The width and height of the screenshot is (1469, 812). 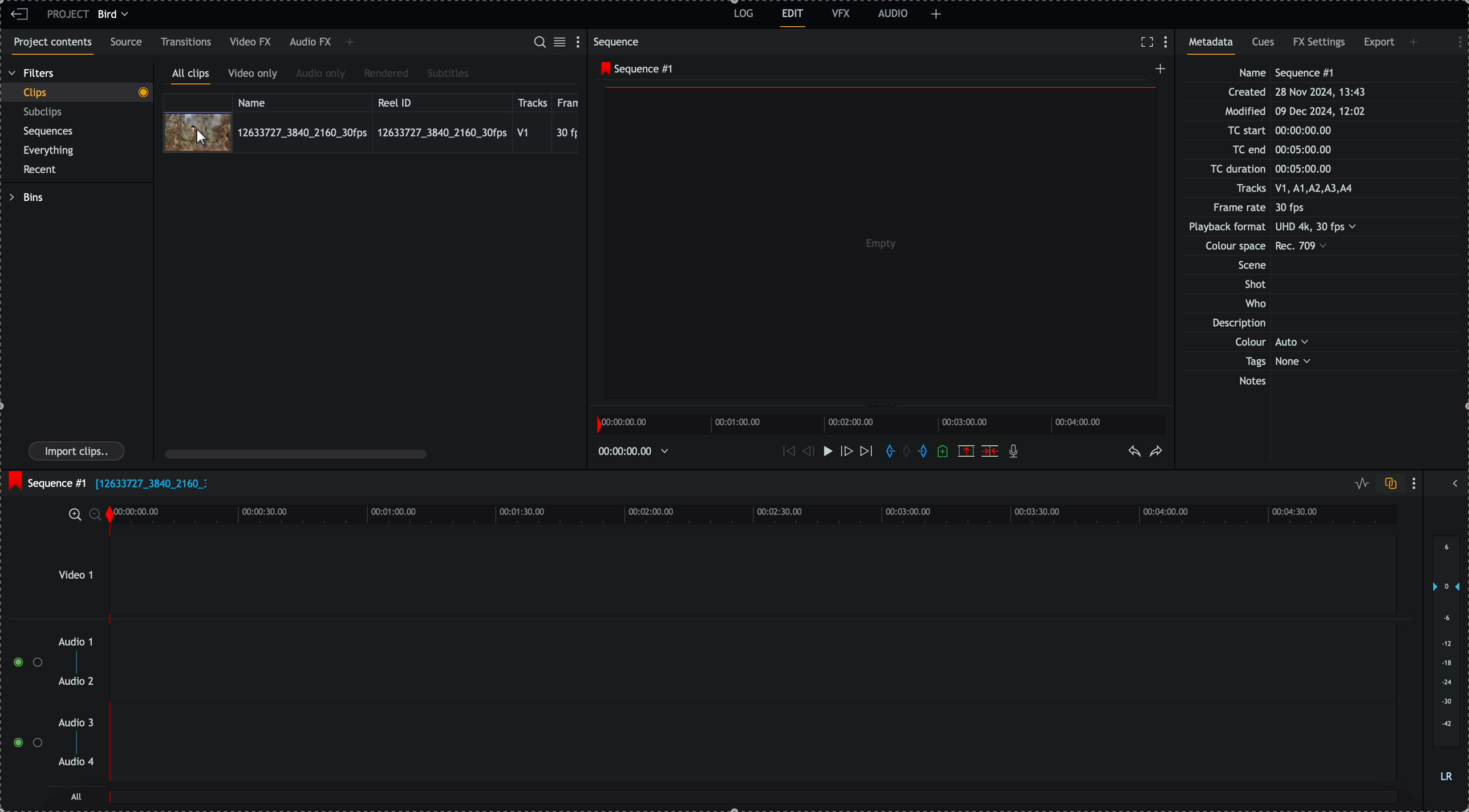 I want to click on add in marks, so click(x=888, y=452).